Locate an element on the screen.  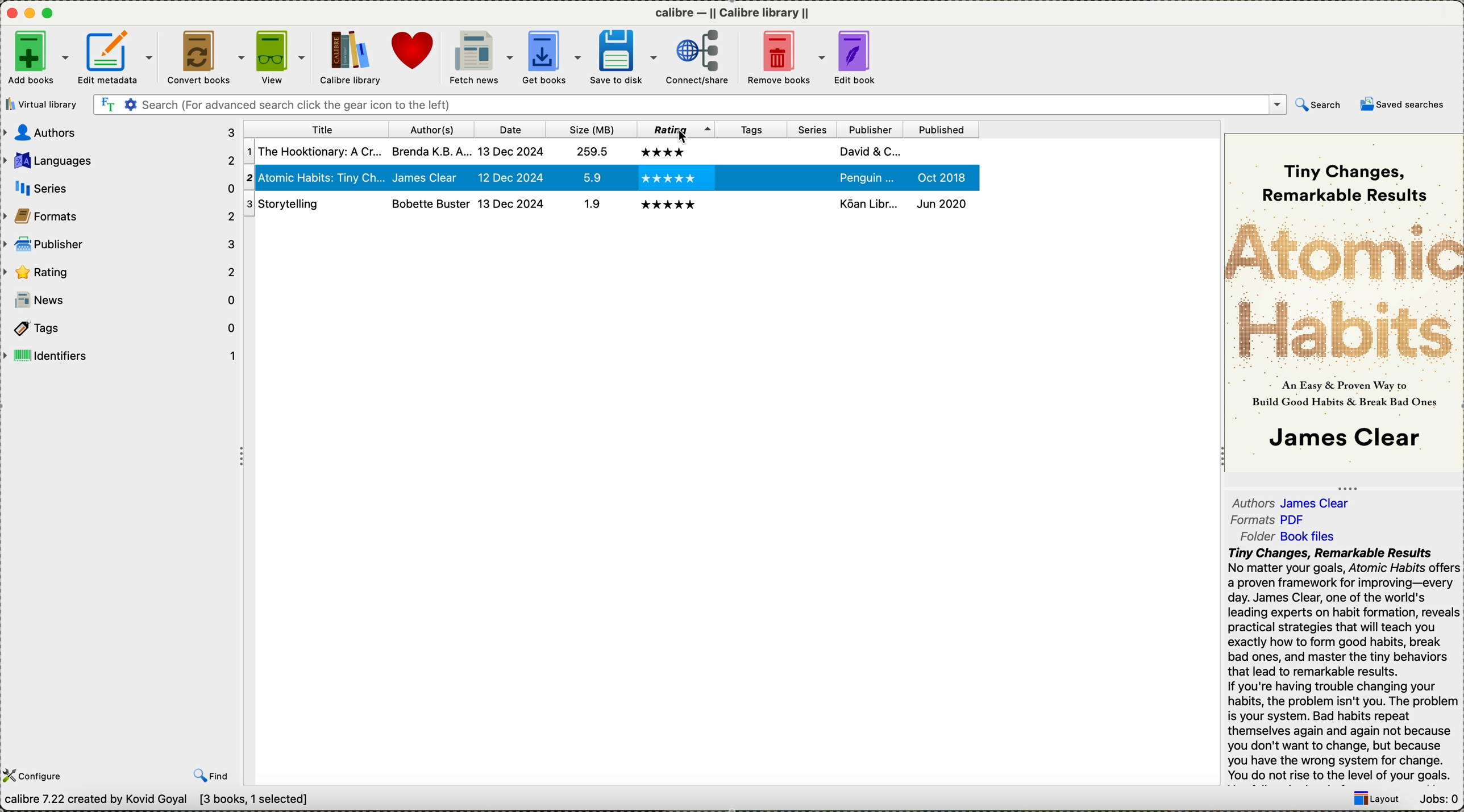
Tiny Changes, Remarkable Results is located at coordinates (1350, 174).